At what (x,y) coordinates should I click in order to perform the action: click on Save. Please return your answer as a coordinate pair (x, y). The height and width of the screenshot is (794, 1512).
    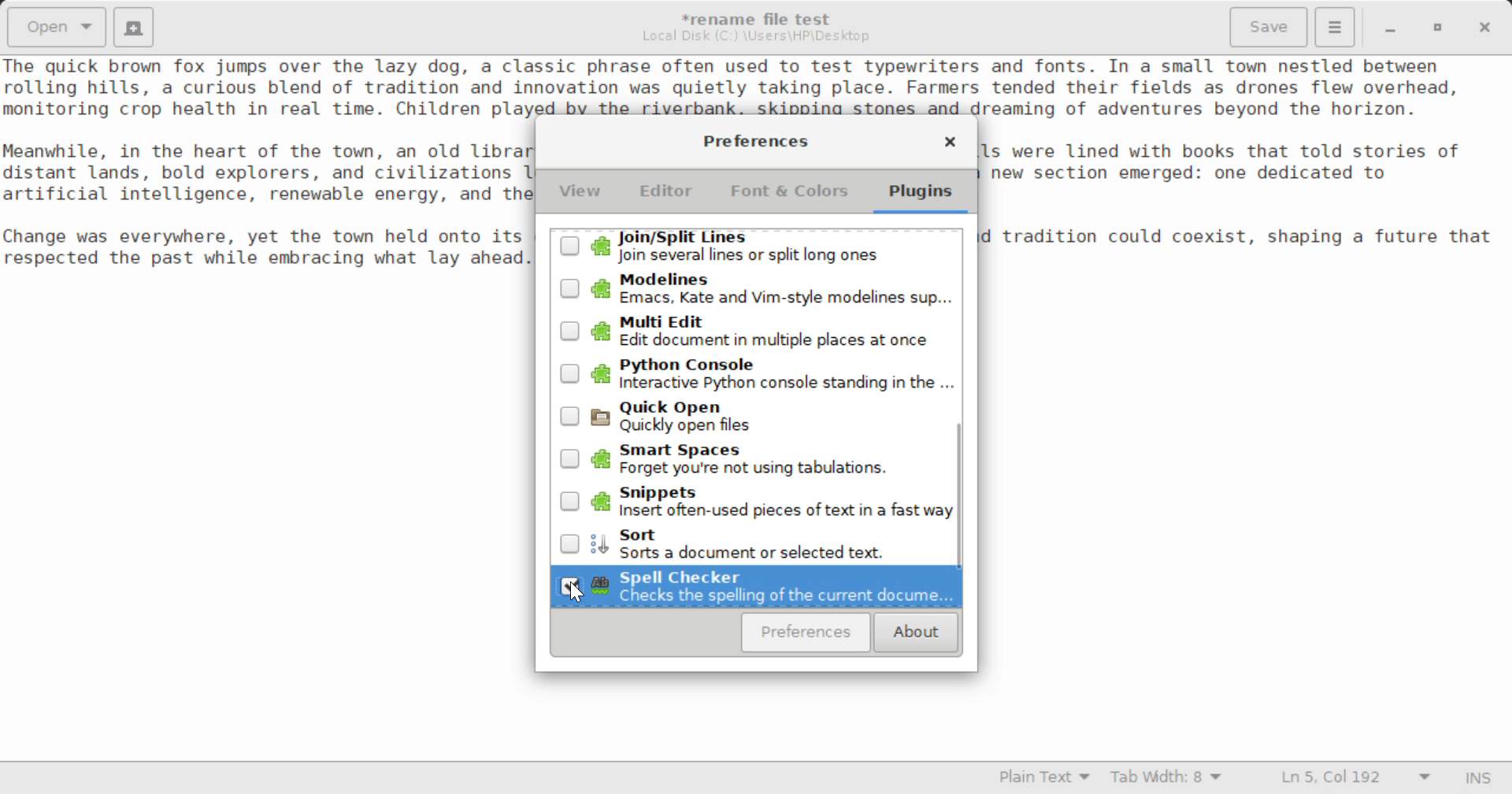
    Looking at the image, I should click on (1270, 28).